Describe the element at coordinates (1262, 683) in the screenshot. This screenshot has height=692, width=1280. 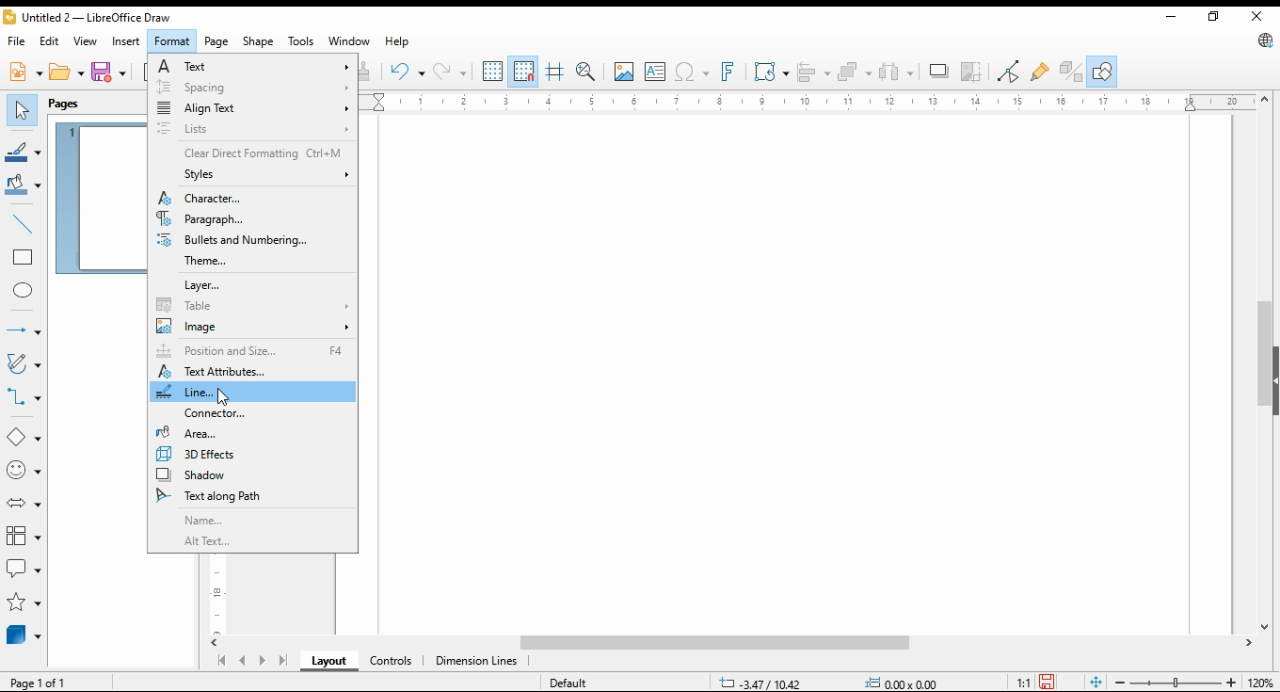
I see `zoom factor` at that location.